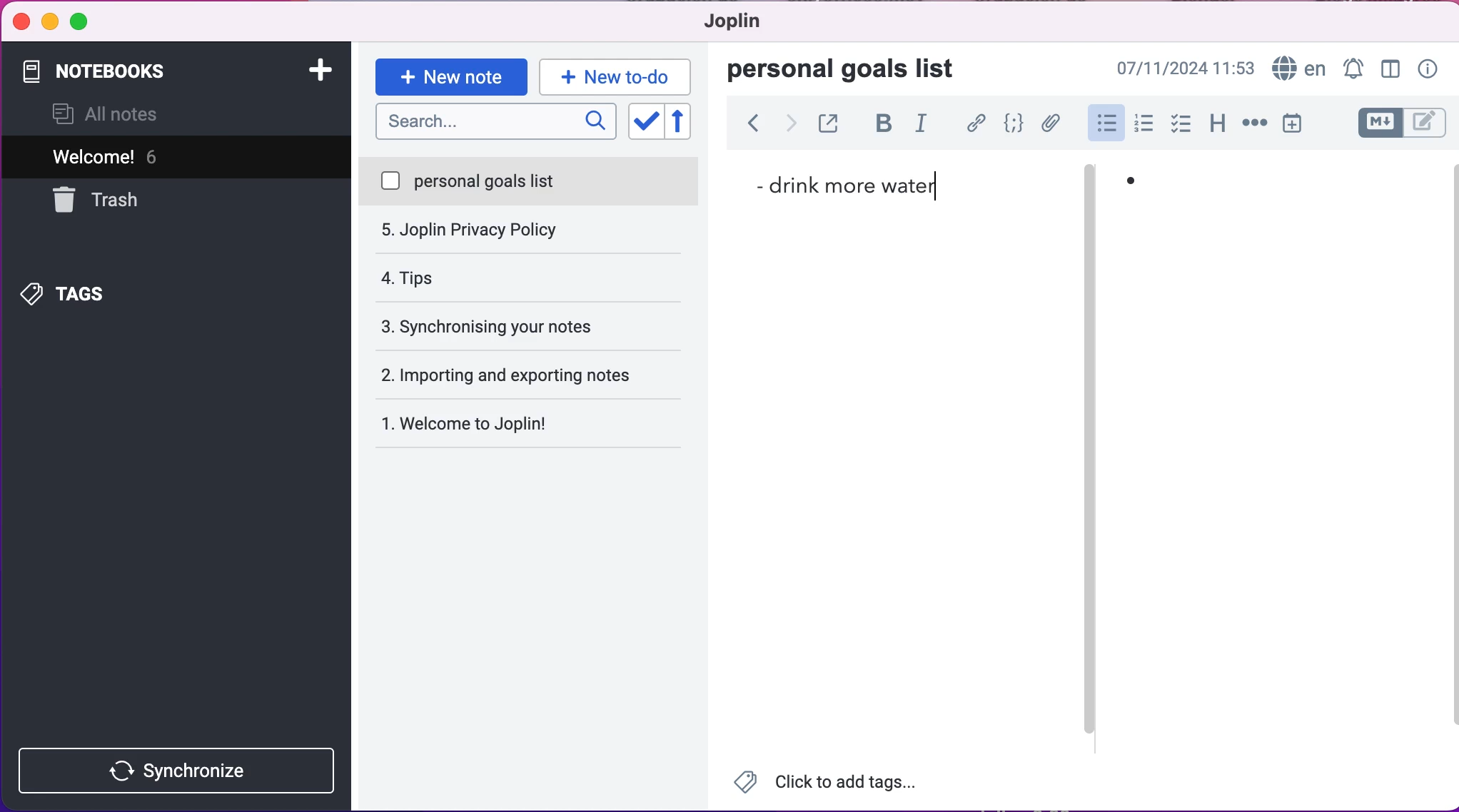 Image resolution: width=1459 pixels, height=812 pixels. What do you see at coordinates (834, 783) in the screenshot?
I see `Click to add tags...` at bounding box center [834, 783].